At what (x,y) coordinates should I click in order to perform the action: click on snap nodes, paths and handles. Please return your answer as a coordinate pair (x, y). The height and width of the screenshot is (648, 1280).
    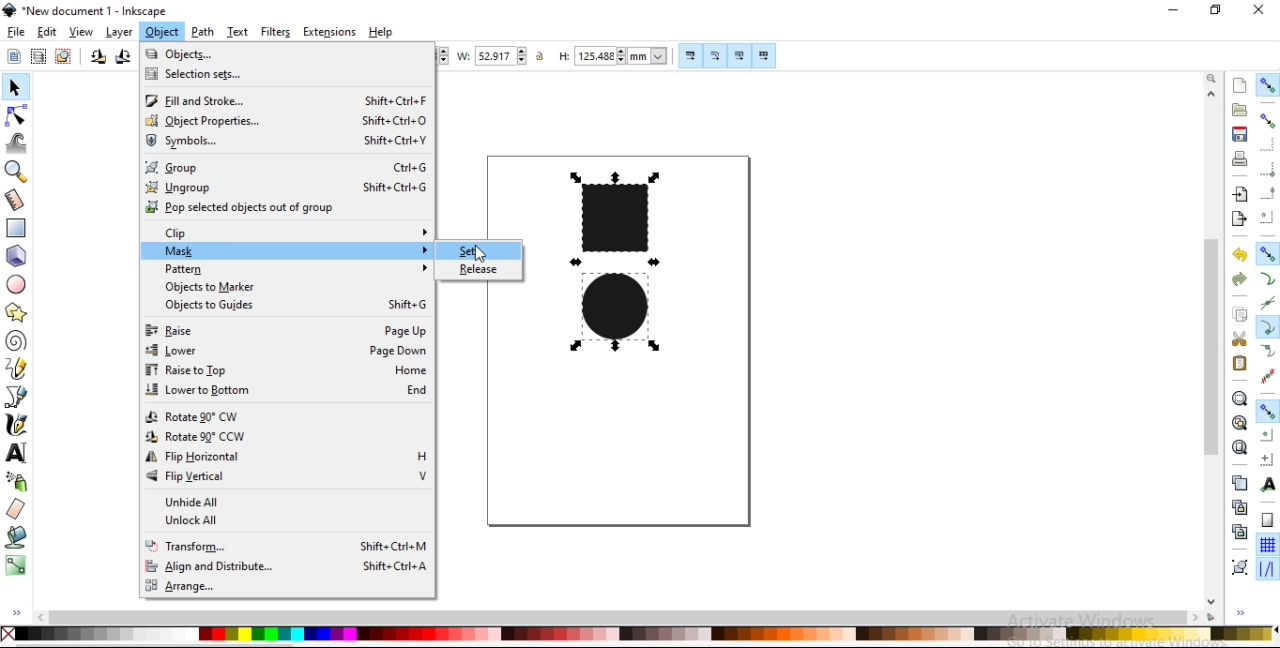
    Looking at the image, I should click on (1268, 253).